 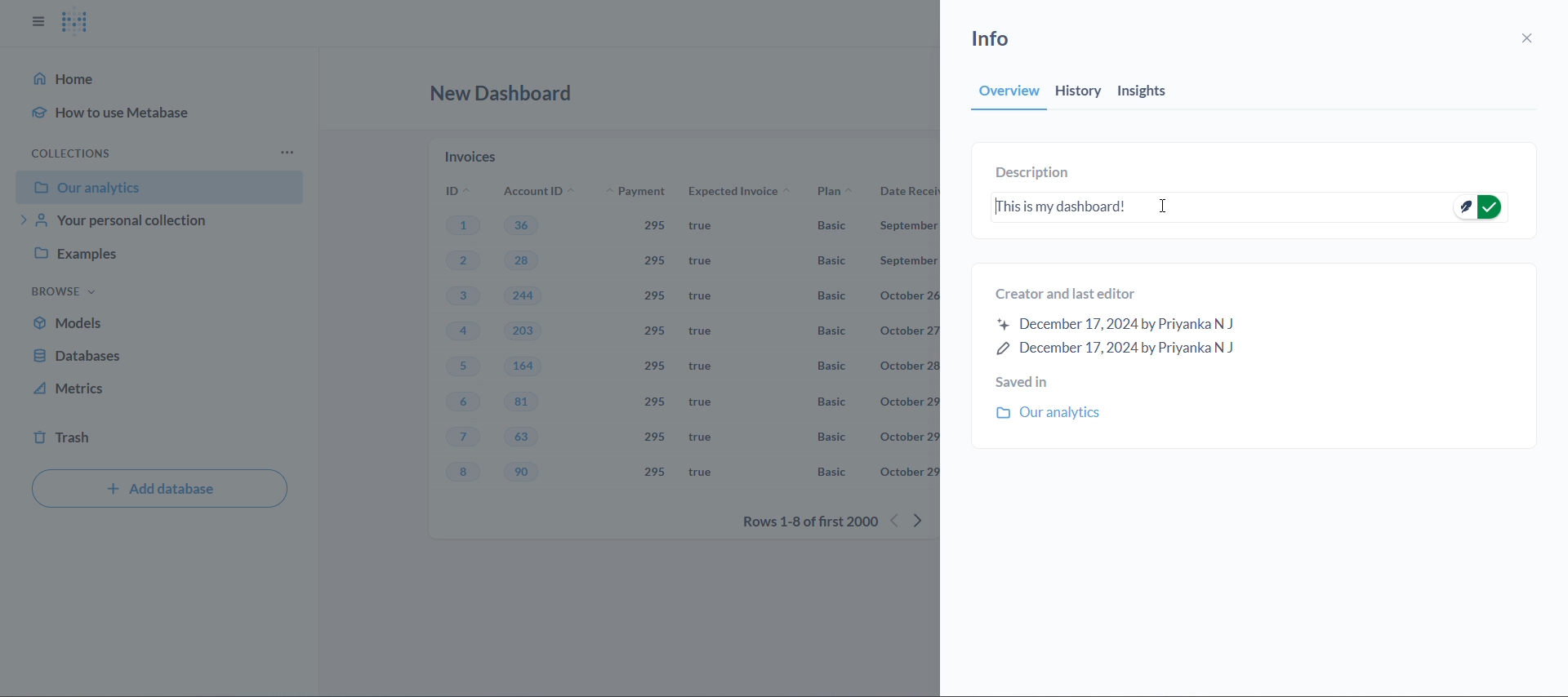 What do you see at coordinates (656, 473) in the screenshot?
I see `295` at bounding box center [656, 473].